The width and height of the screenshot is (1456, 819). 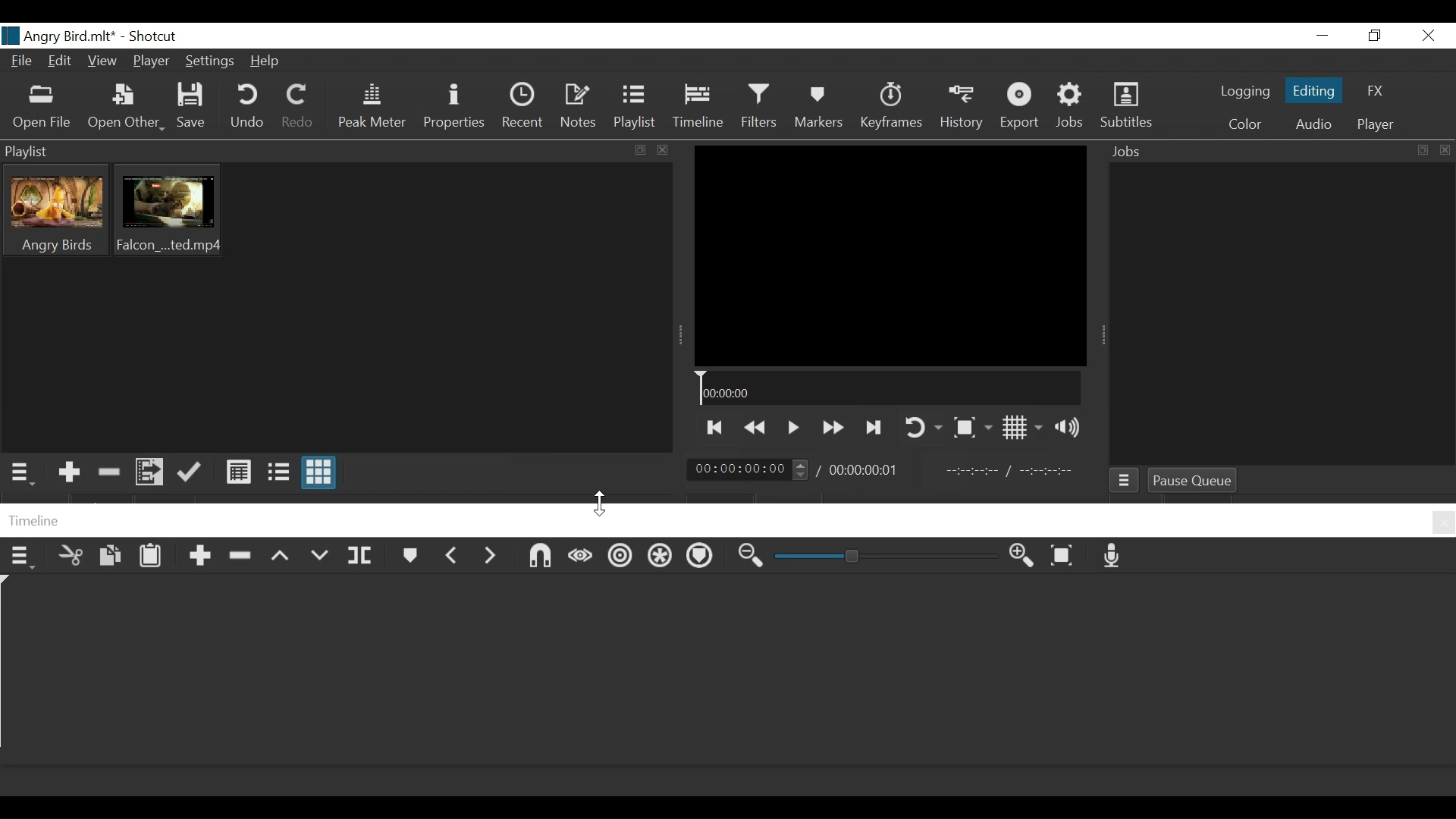 I want to click on Lift, so click(x=281, y=560).